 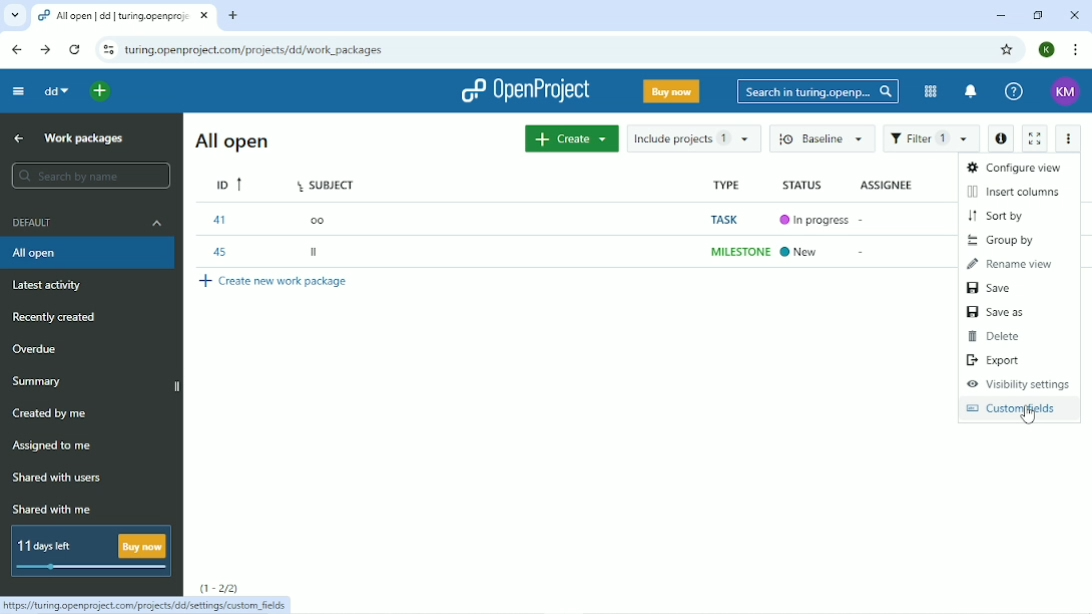 What do you see at coordinates (76, 49) in the screenshot?
I see `Reload this page` at bounding box center [76, 49].